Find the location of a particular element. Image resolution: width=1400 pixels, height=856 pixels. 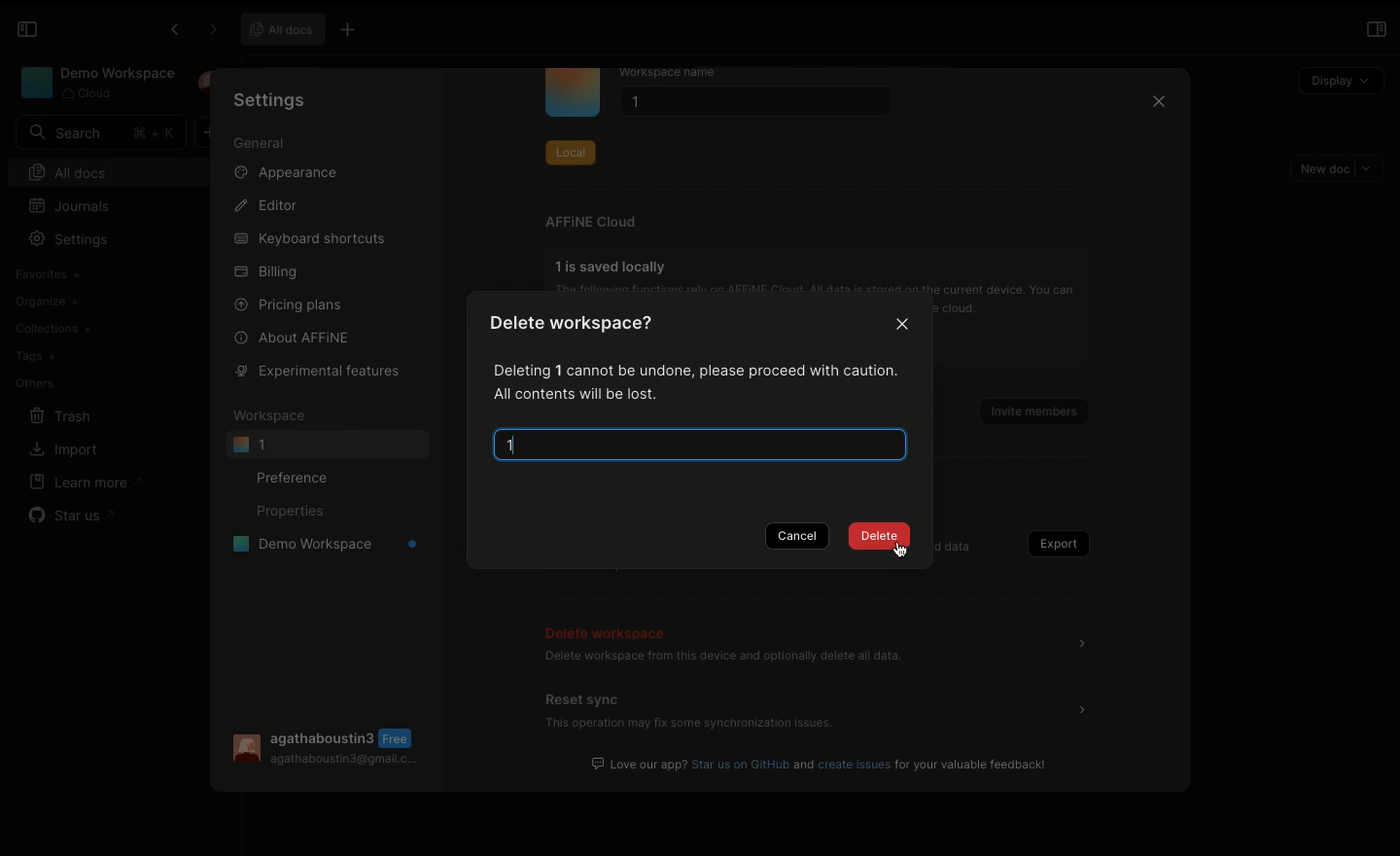

User Image is located at coordinates (244, 749).